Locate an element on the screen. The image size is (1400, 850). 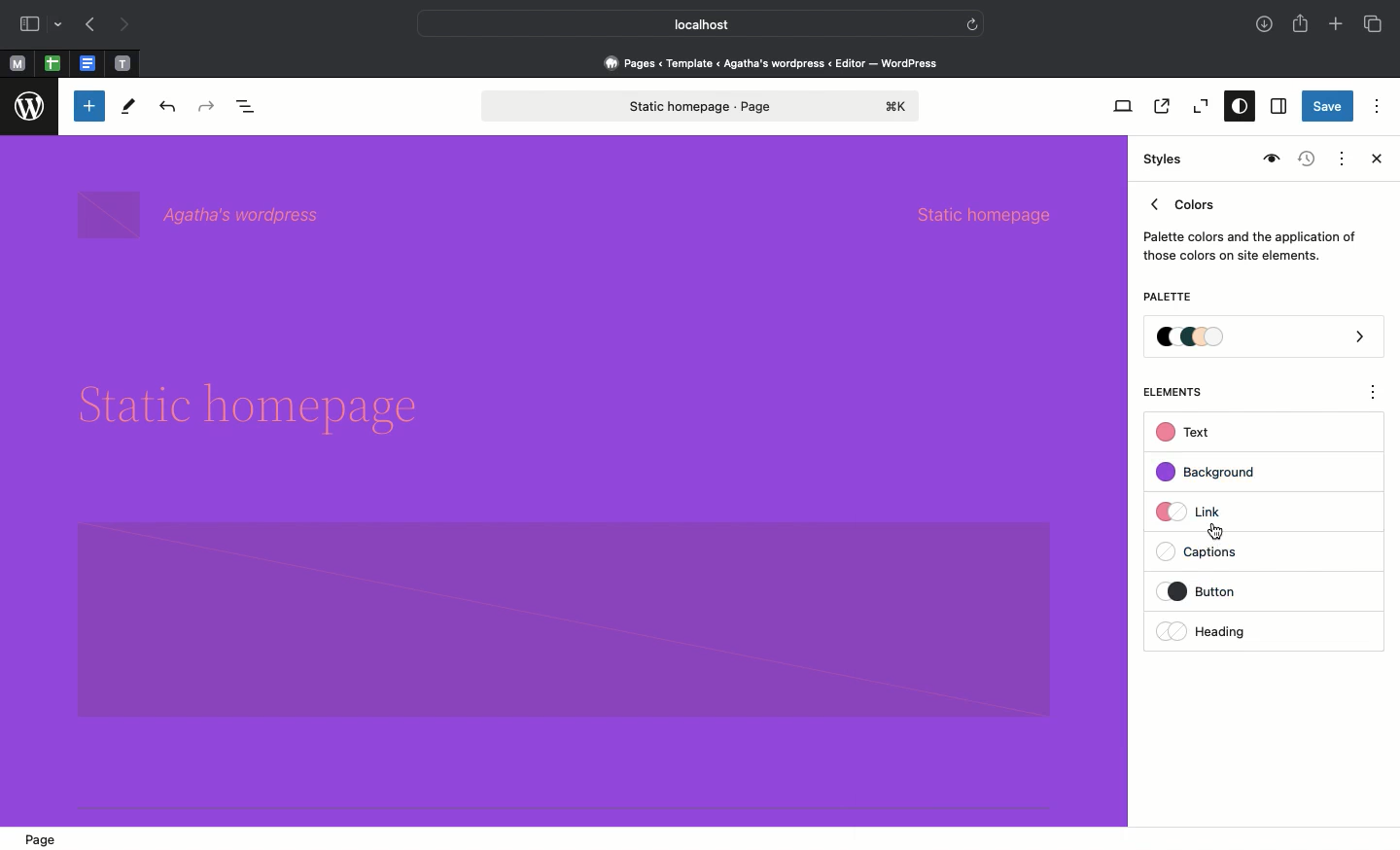
Block is located at coordinates (564, 619).